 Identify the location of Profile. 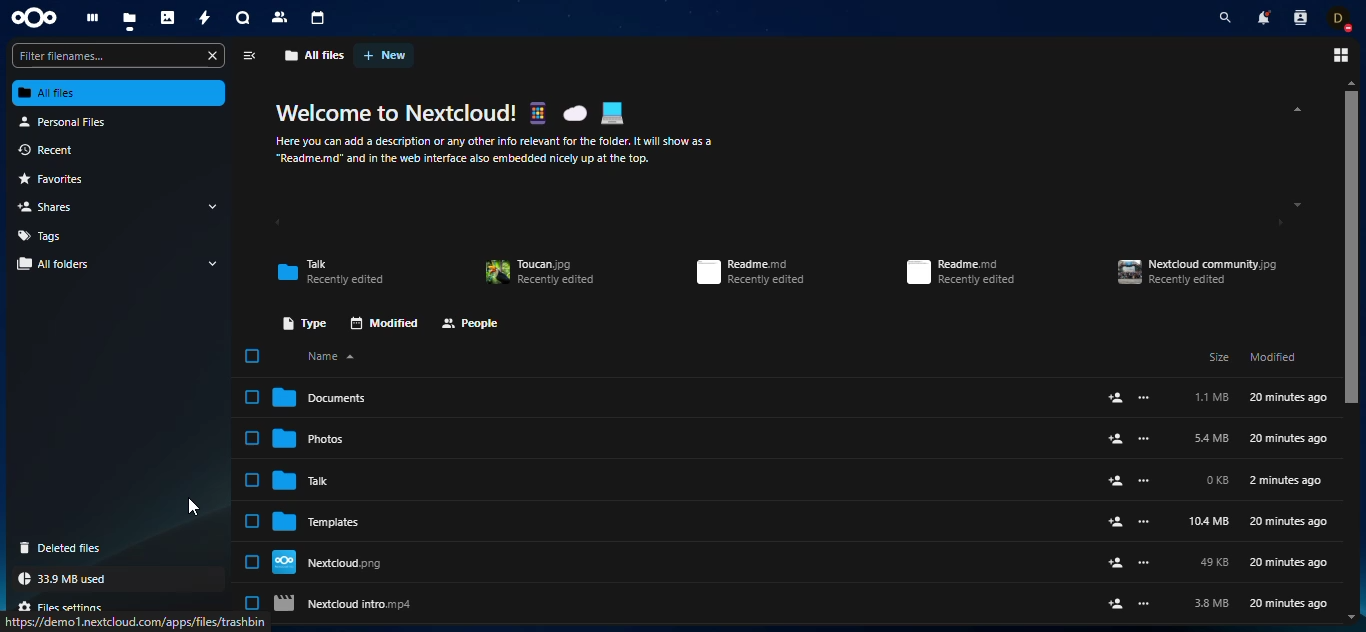
(1342, 21).